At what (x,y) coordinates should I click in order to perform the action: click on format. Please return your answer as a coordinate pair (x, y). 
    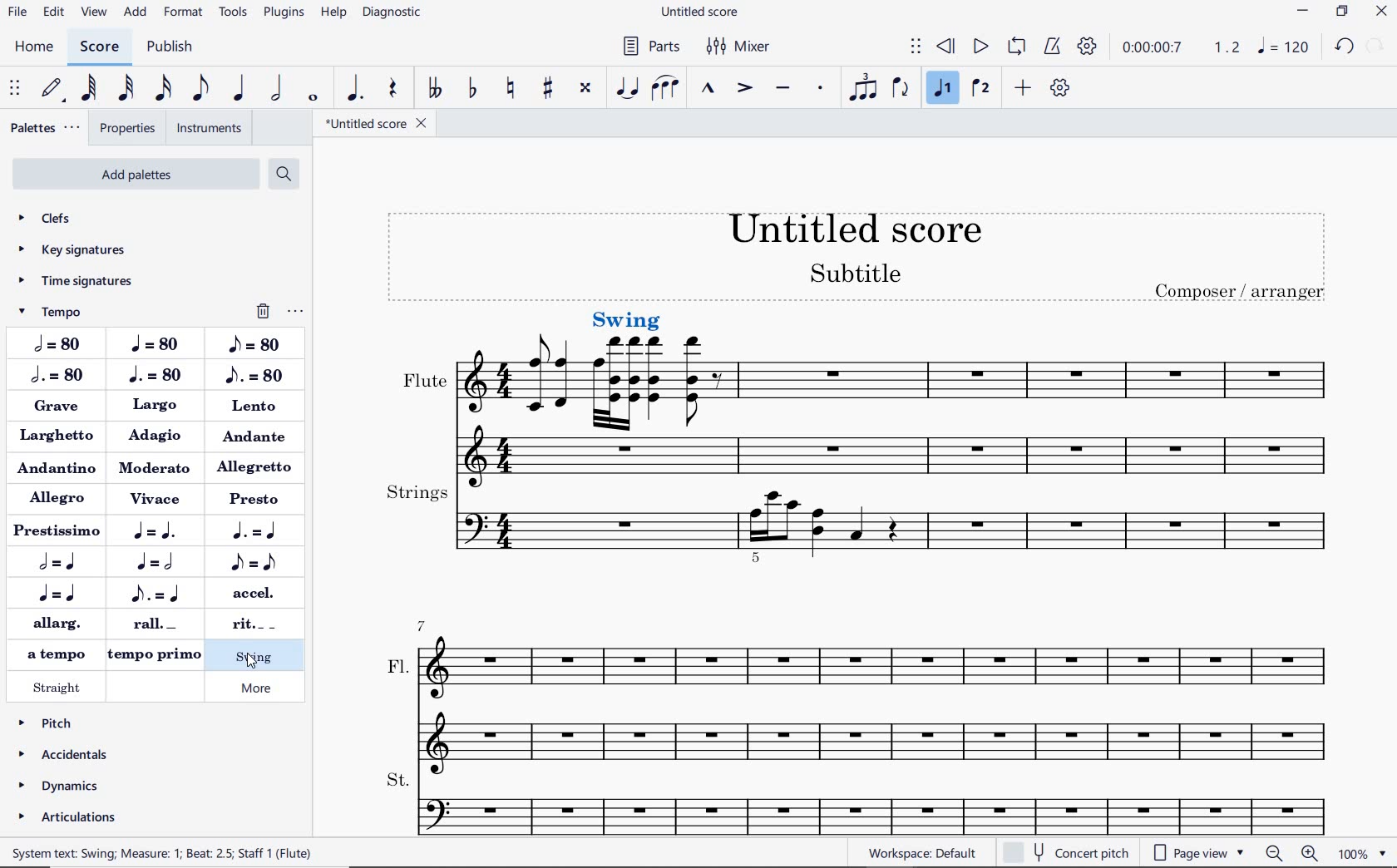
    Looking at the image, I should click on (184, 13).